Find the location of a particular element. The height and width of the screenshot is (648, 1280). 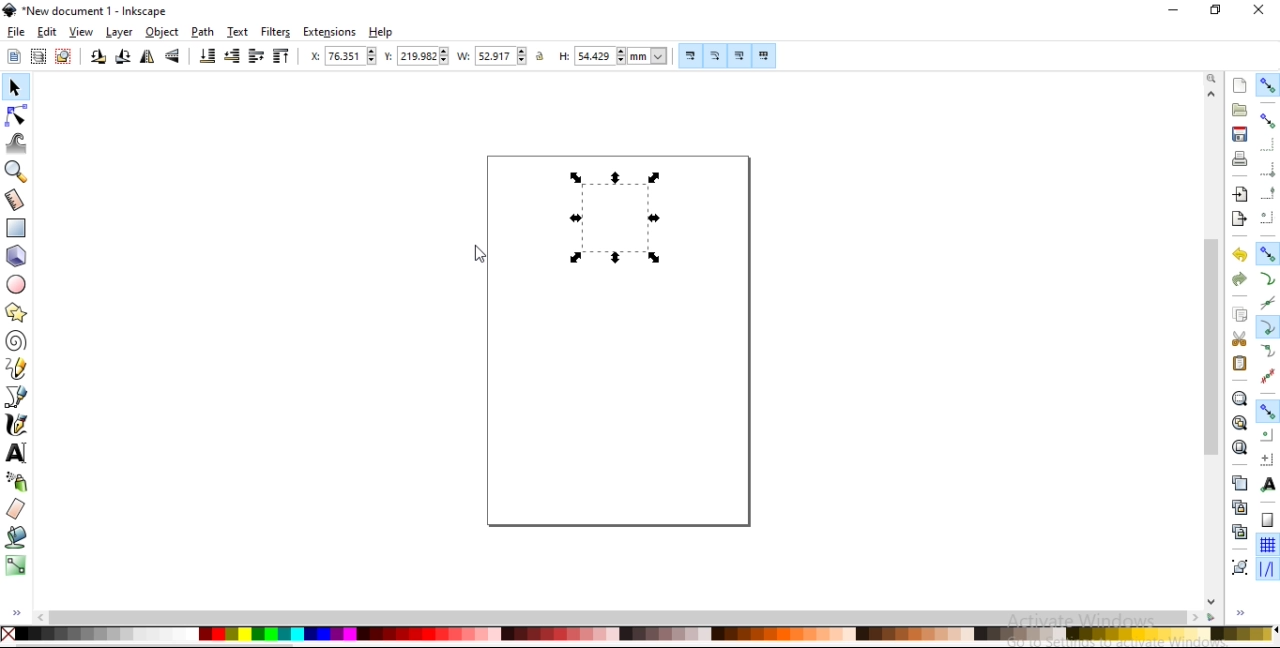

create spiral  is located at coordinates (14, 340).